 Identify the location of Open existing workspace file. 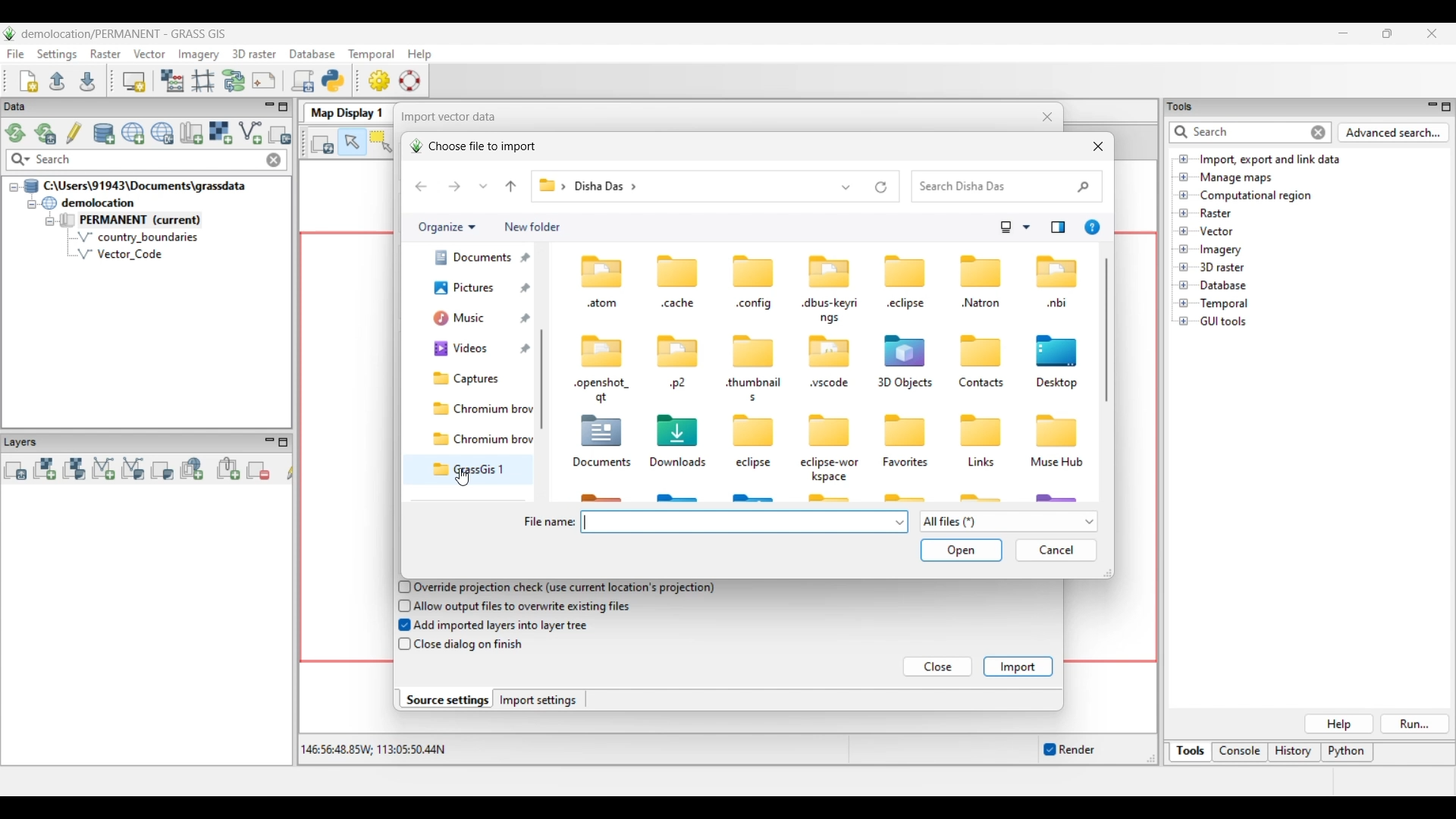
(57, 80).